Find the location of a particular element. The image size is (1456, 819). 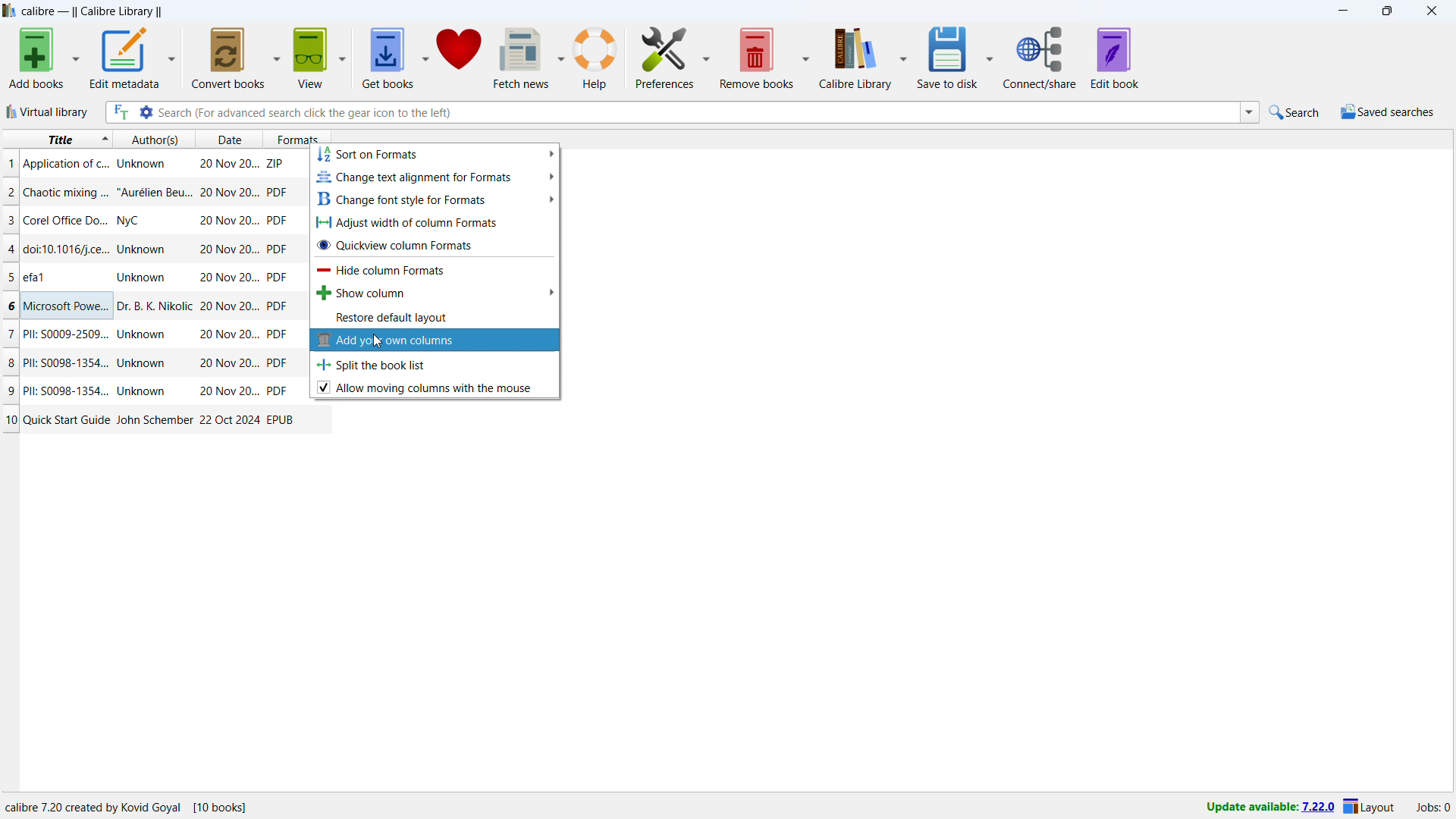

date is located at coordinates (229, 249).